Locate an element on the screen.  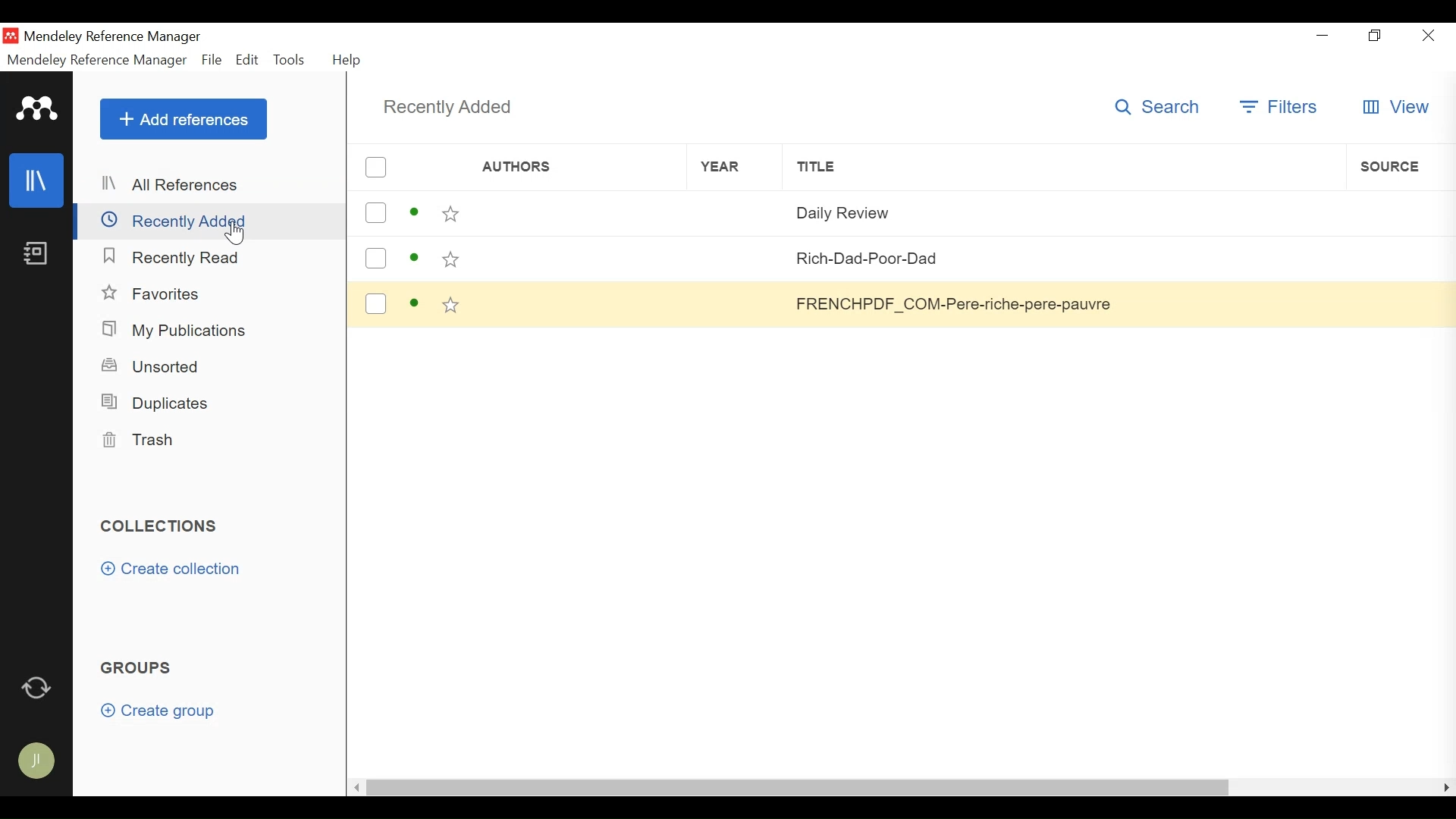
Author is located at coordinates (557, 259).